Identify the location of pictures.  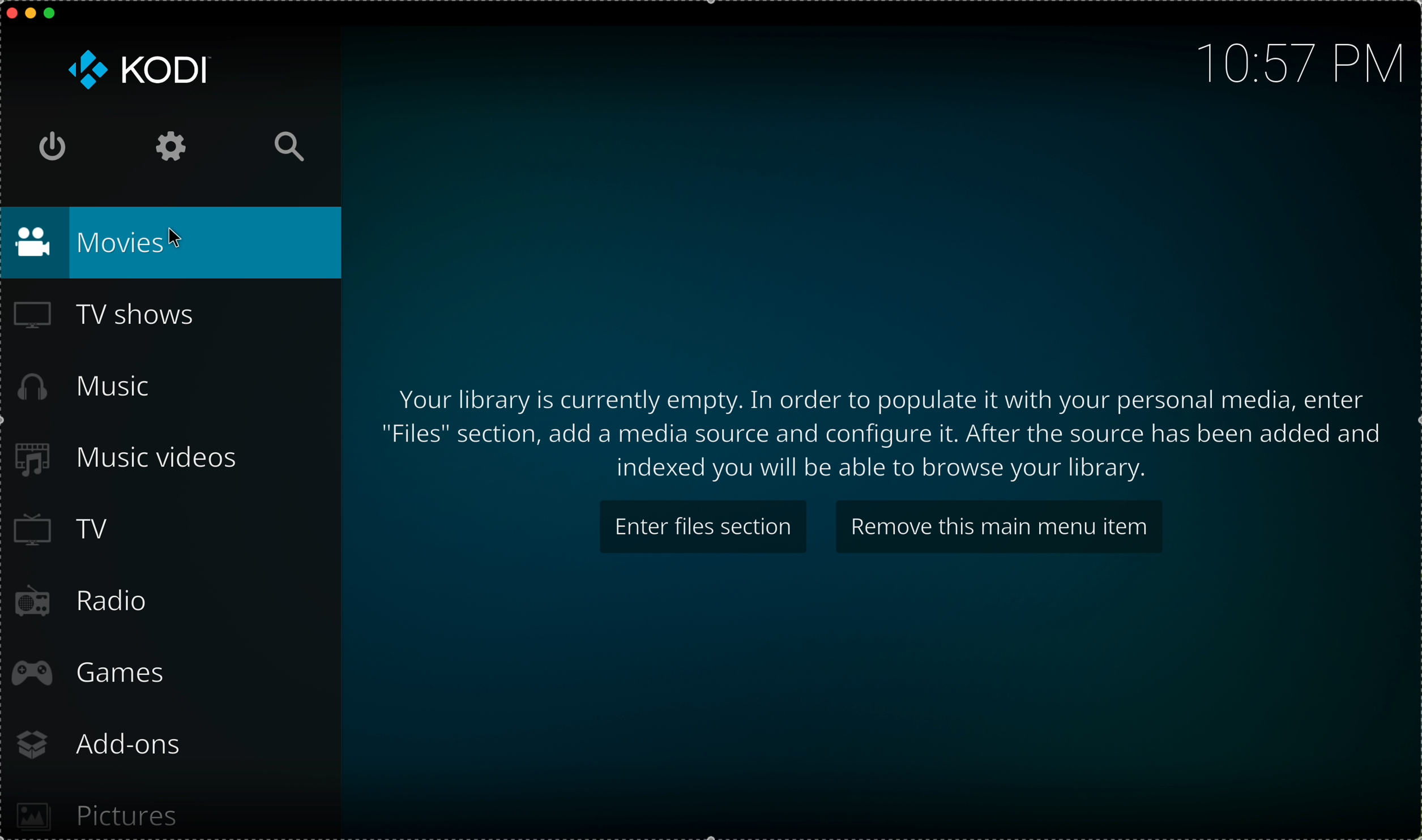
(100, 809).